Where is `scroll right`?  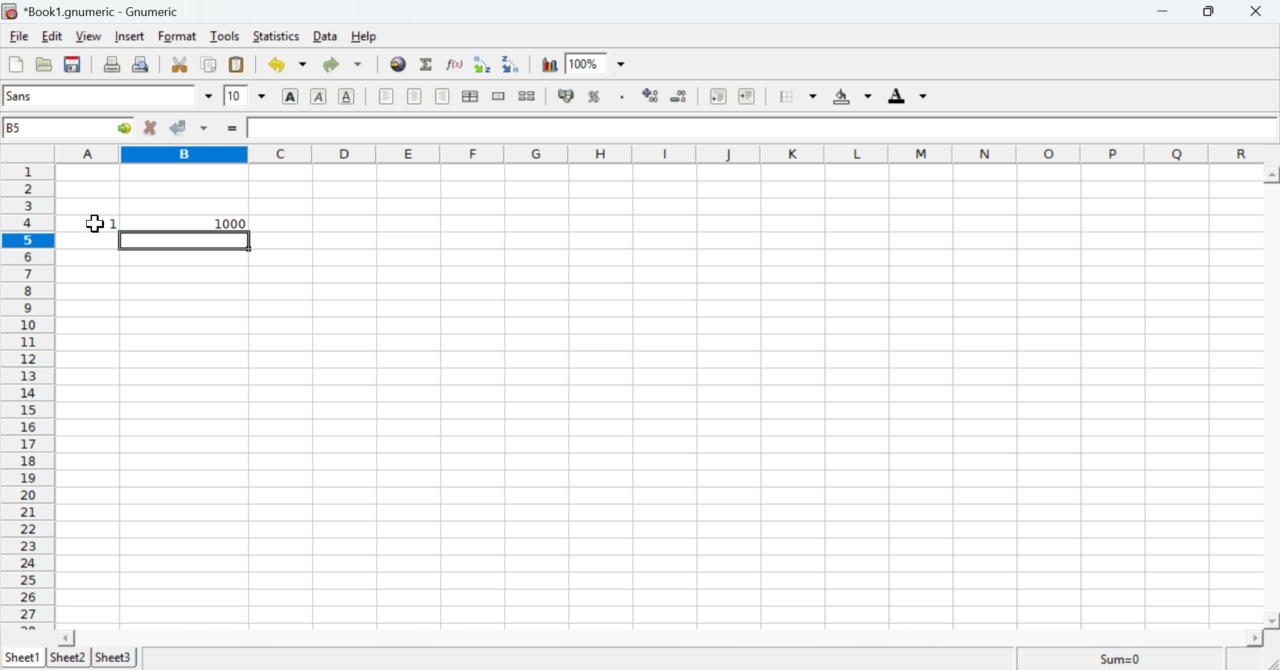 scroll right is located at coordinates (1255, 638).